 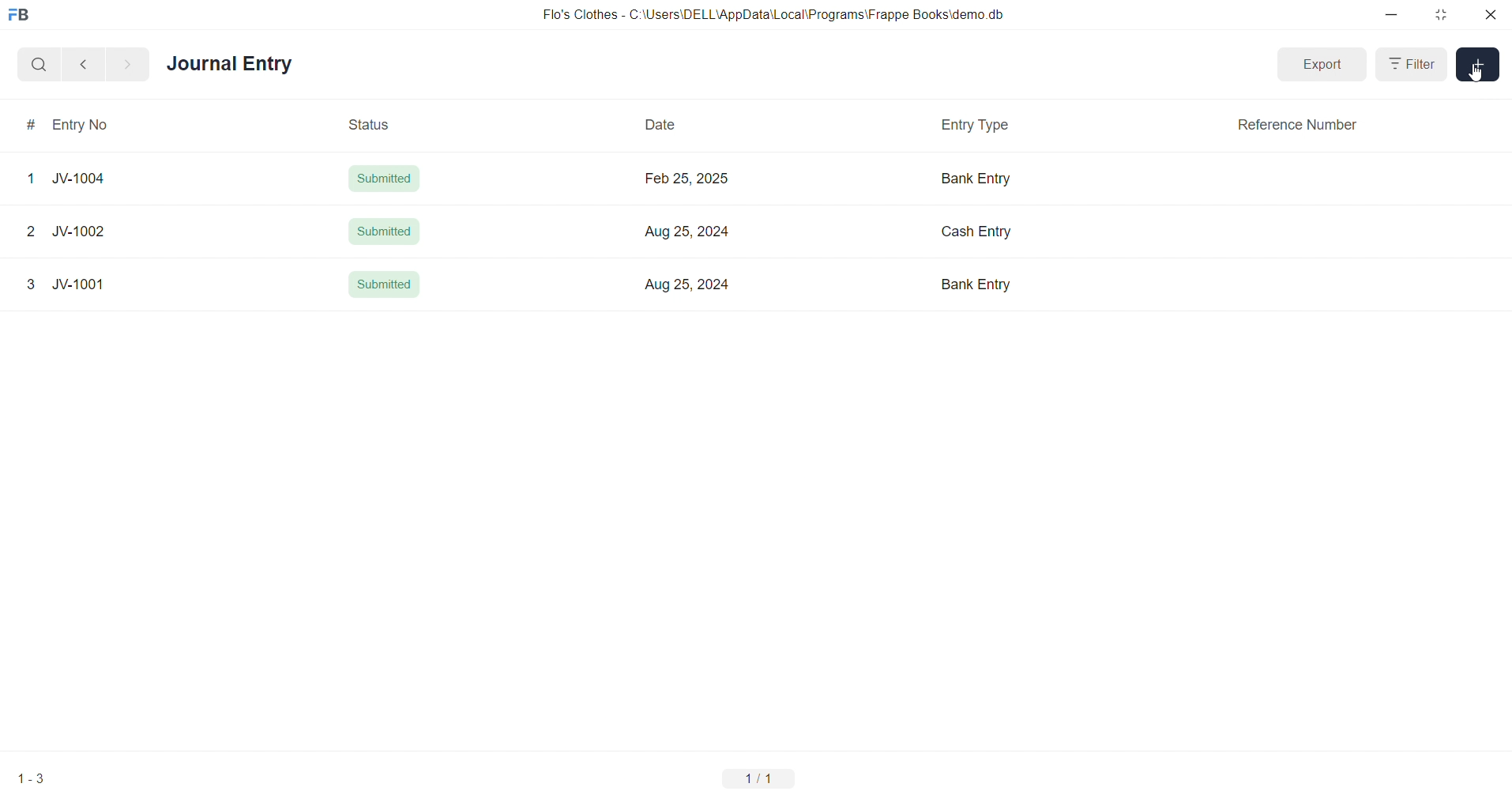 What do you see at coordinates (231, 66) in the screenshot?
I see `Journal Entry` at bounding box center [231, 66].